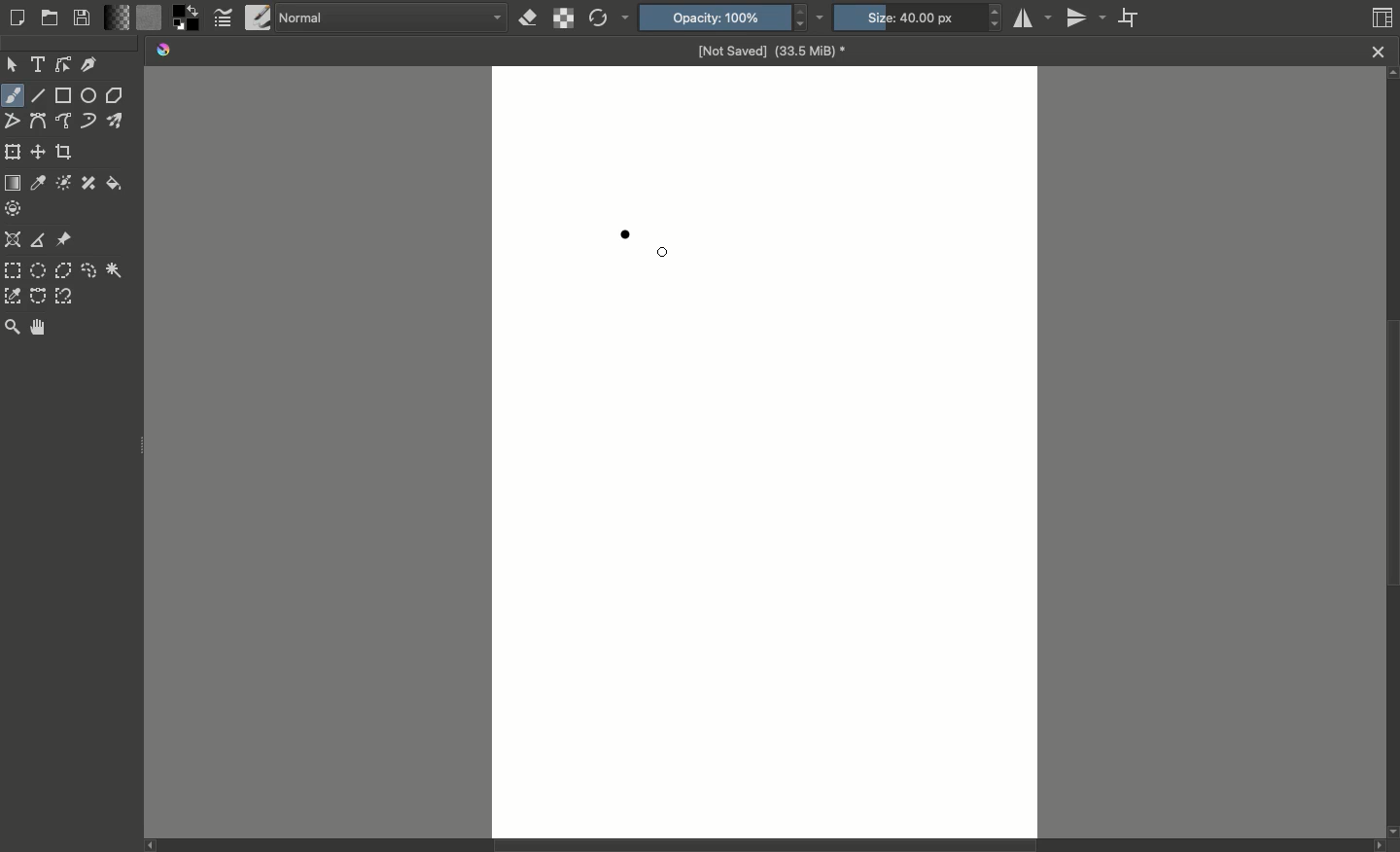 Image resolution: width=1400 pixels, height=852 pixels. What do you see at coordinates (664, 253) in the screenshot?
I see `cursor` at bounding box center [664, 253].